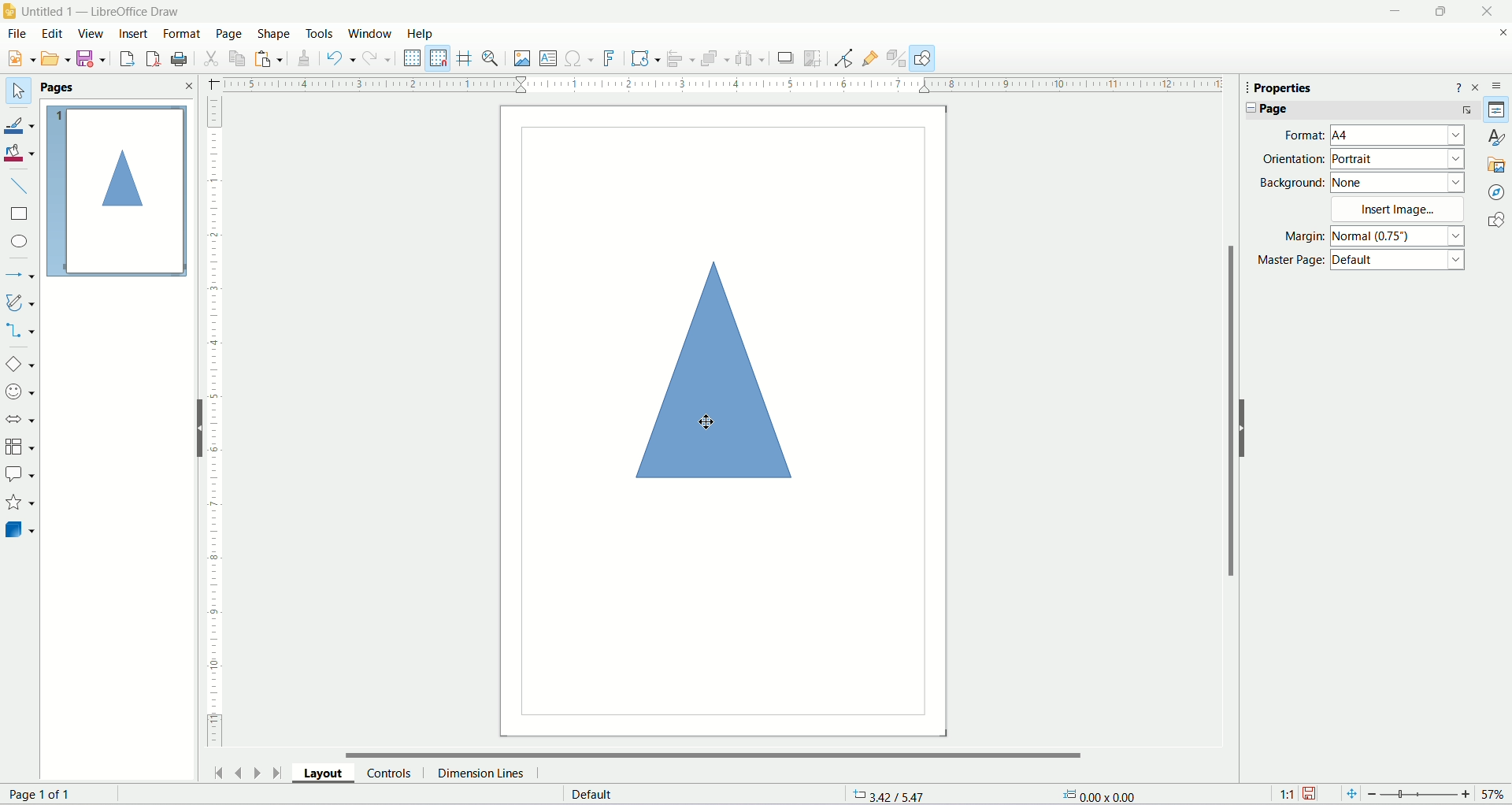  What do you see at coordinates (236, 772) in the screenshot?
I see `Move to previous page` at bounding box center [236, 772].